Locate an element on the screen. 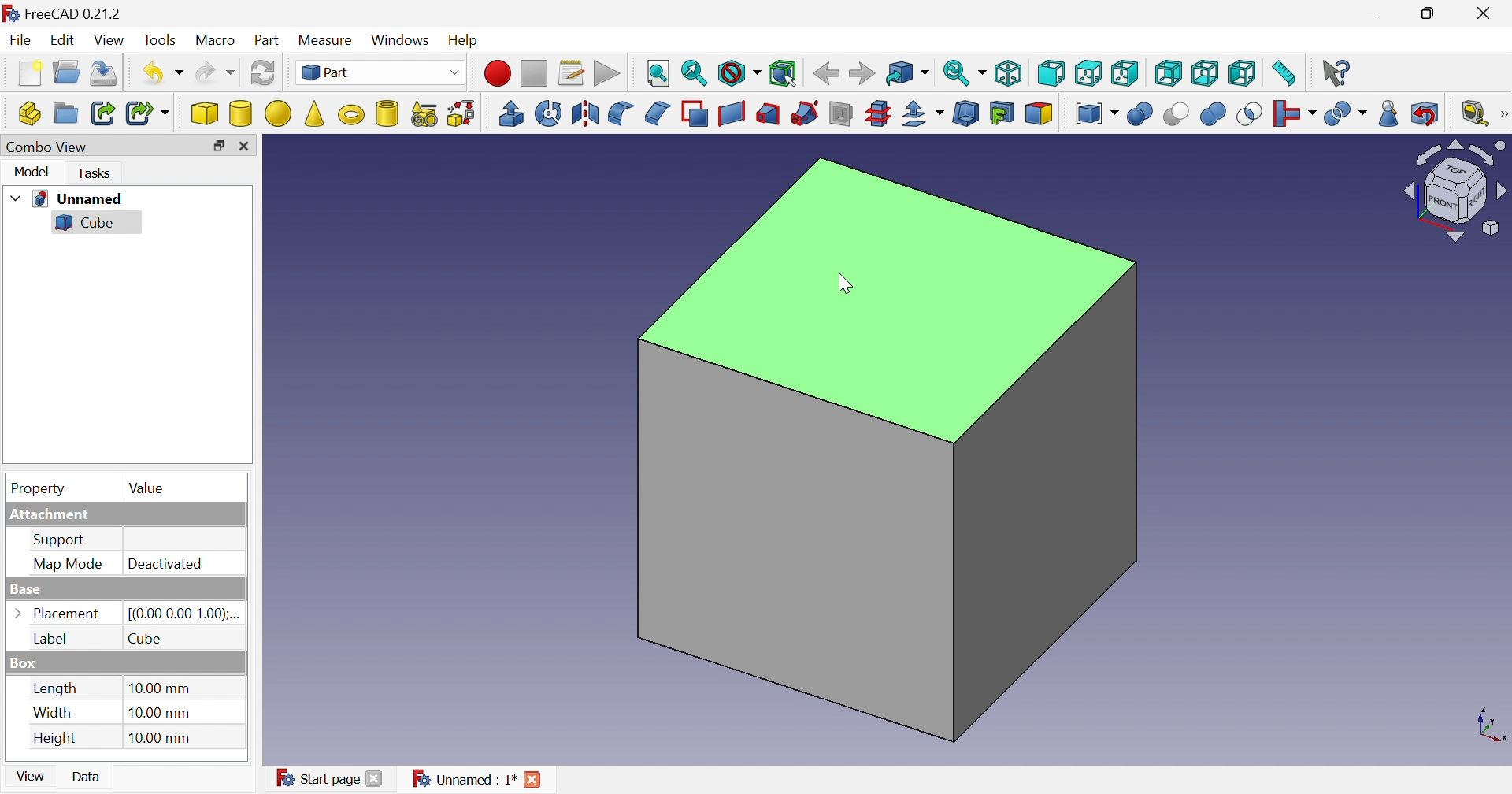 The width and height of the screenshot is (1512, 794). [(0.00 0.00 1.00);... is located at coordinates (184, 614).